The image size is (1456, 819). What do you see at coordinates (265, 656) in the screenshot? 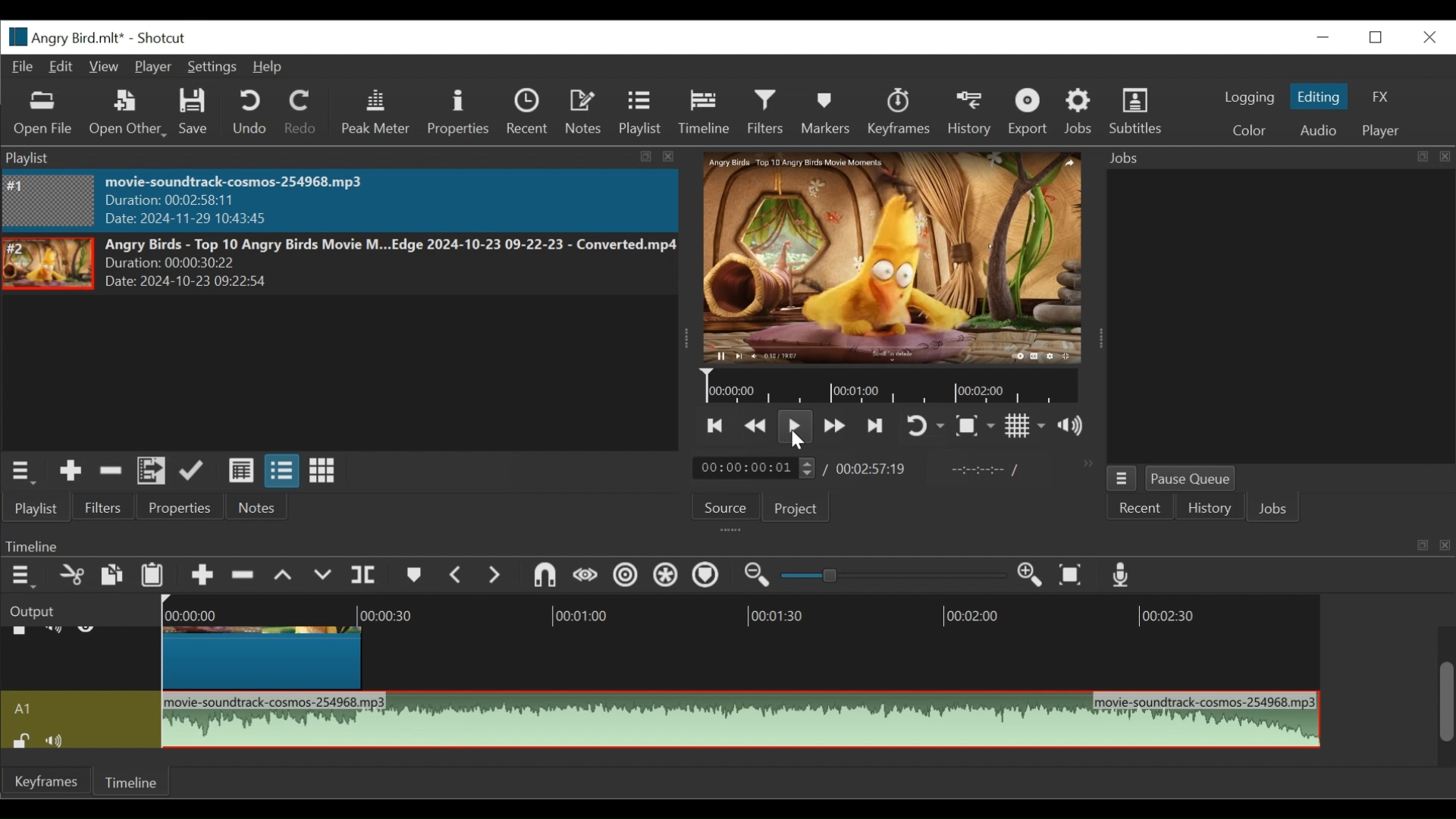
I see `Angry Birds - Top(Clip)` at bounding box center [265, 656].